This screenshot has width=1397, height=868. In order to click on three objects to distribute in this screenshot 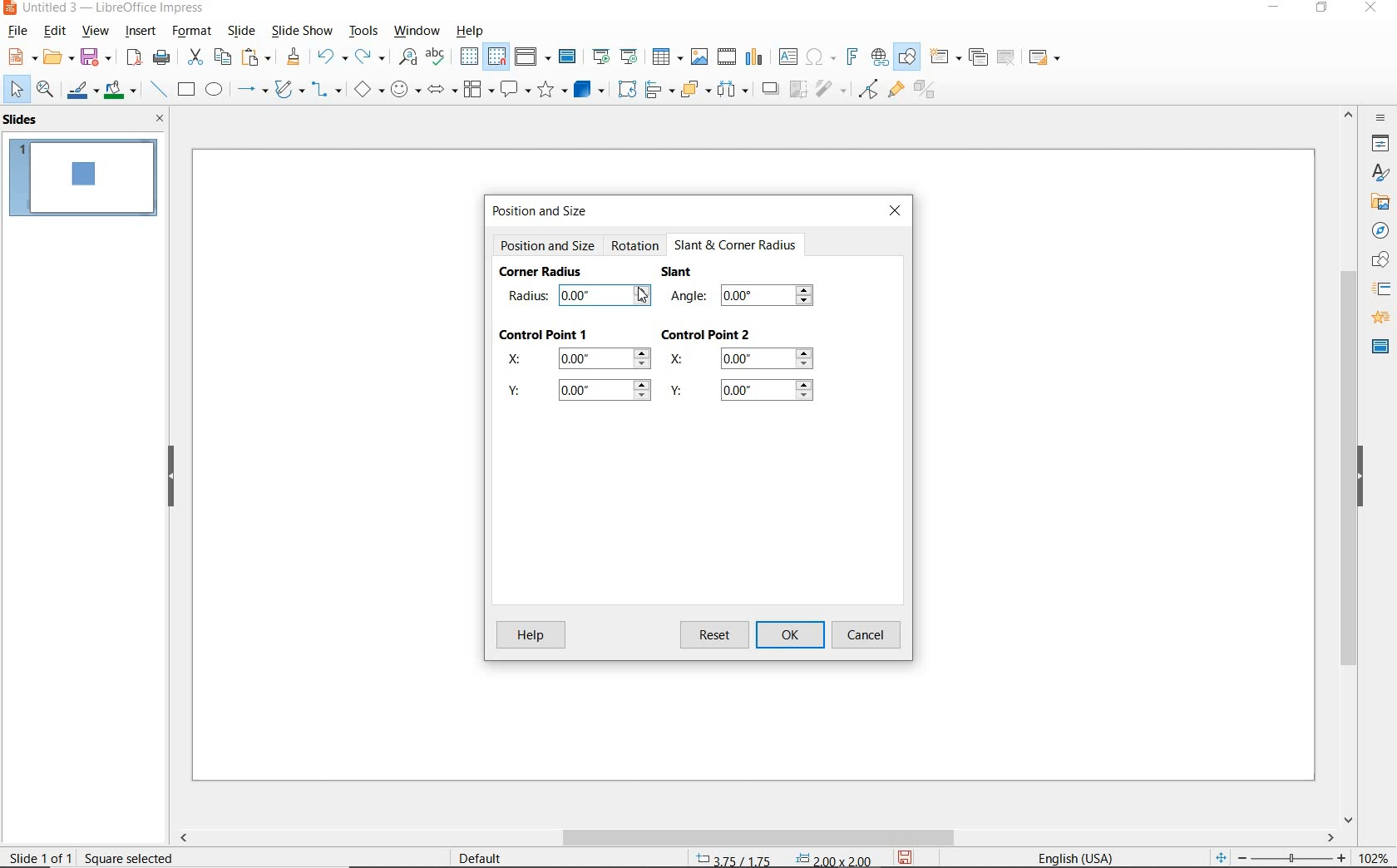, I will do `click(737, 89)`.